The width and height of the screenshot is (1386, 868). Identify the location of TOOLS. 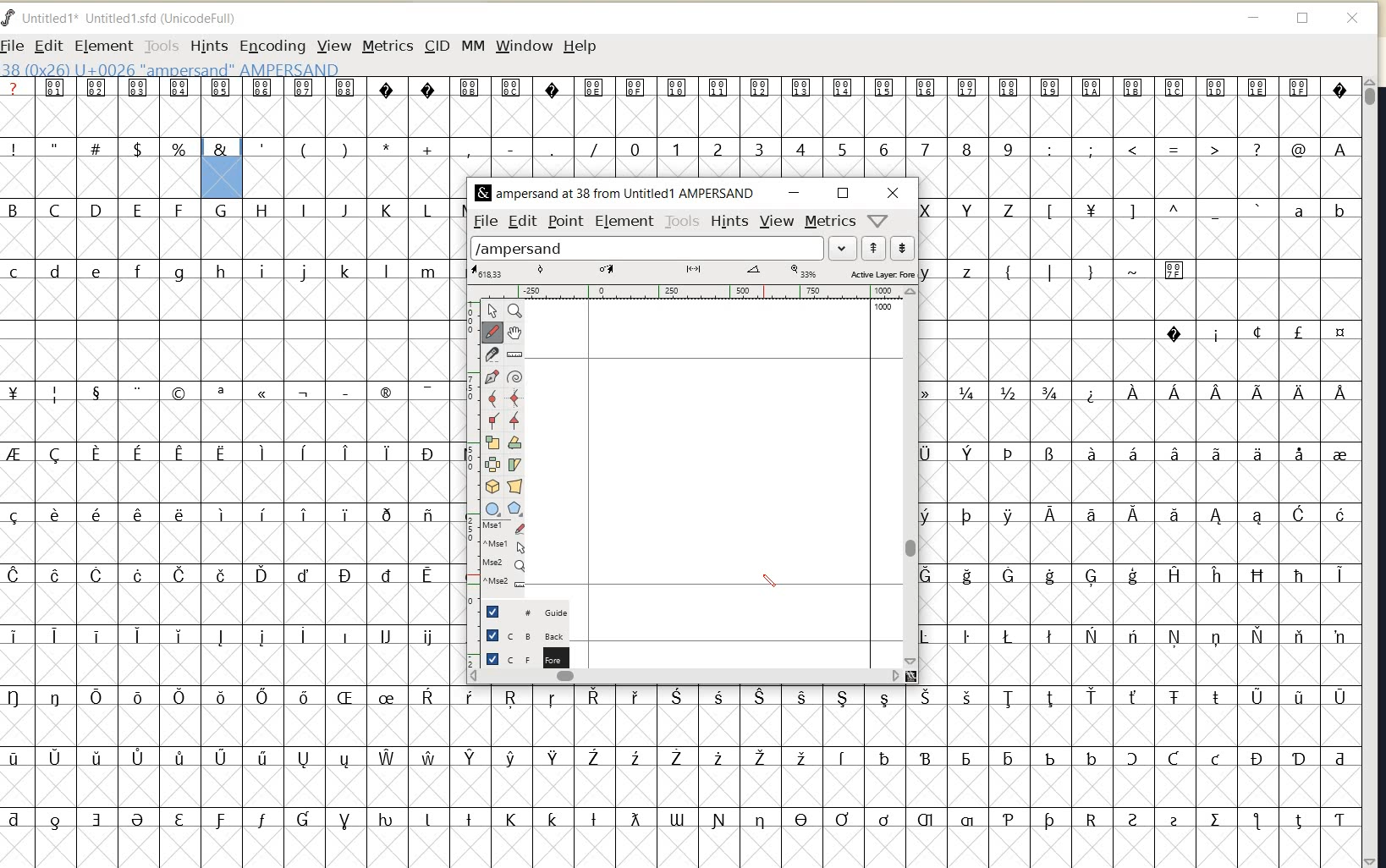
(683, 221).